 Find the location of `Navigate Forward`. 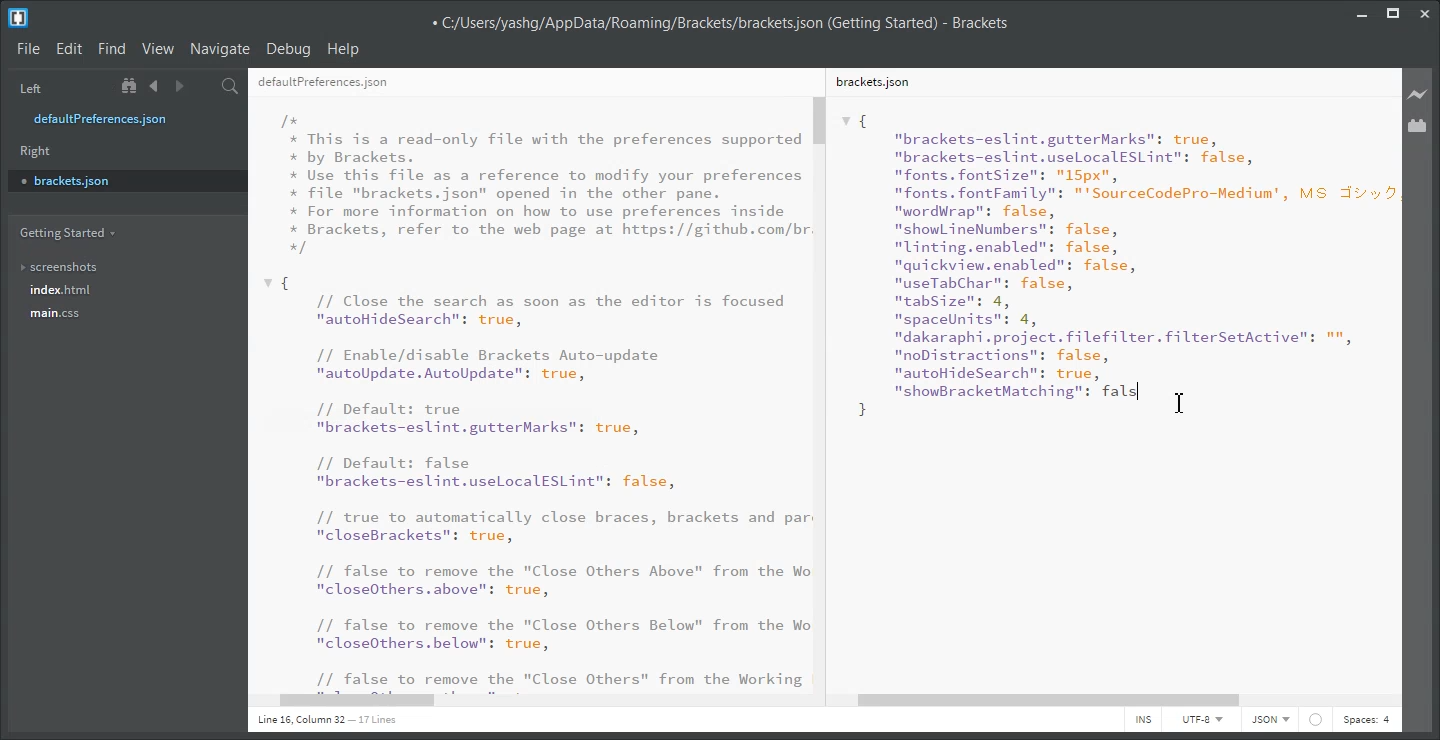

Navigate Forward is located at coordinates (179, 86).